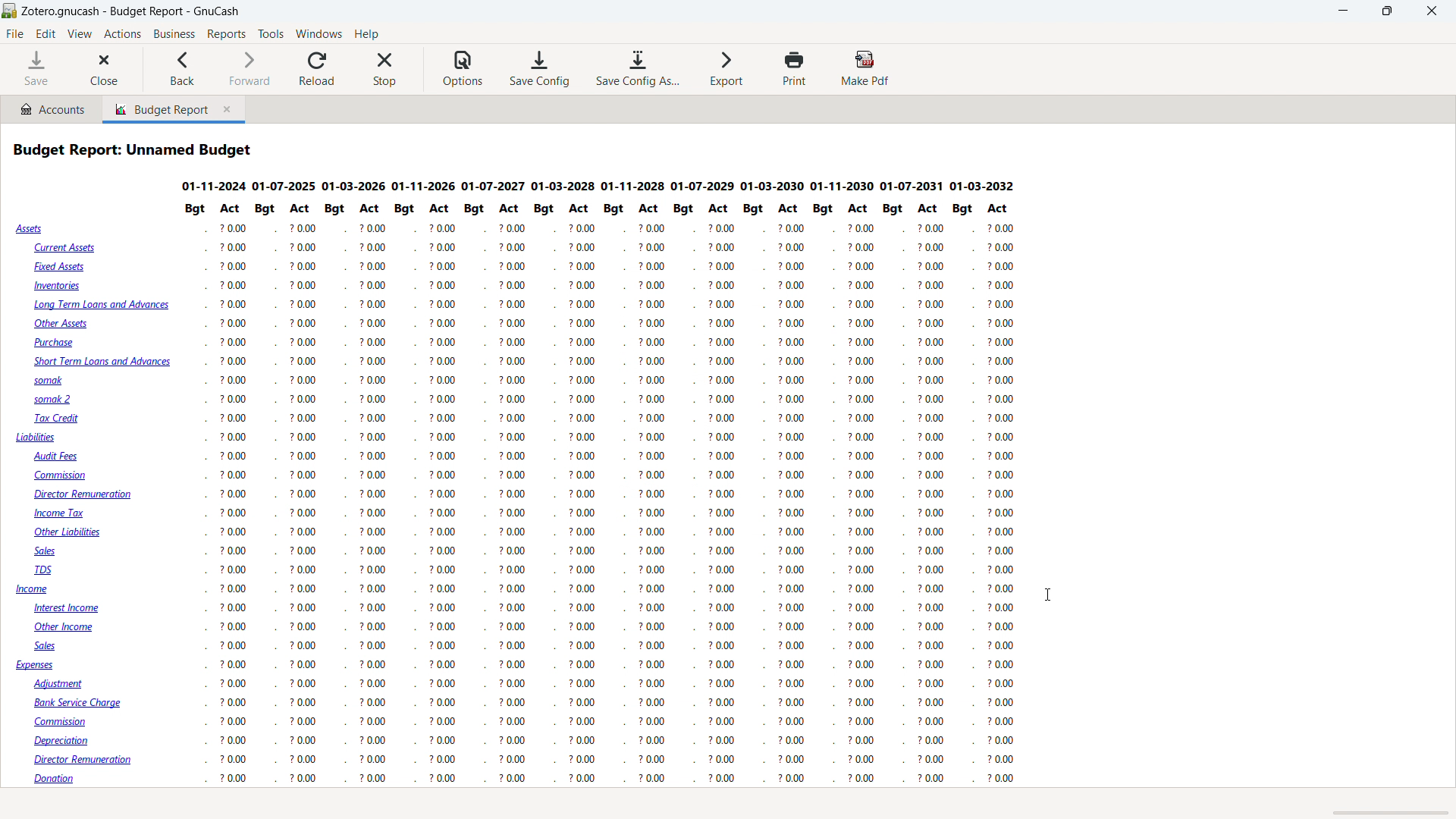 This screenshot has width=1456, height=819. Describe the element at coordinates (58, 342) in the screenshot. I see `Purchase` at that location.